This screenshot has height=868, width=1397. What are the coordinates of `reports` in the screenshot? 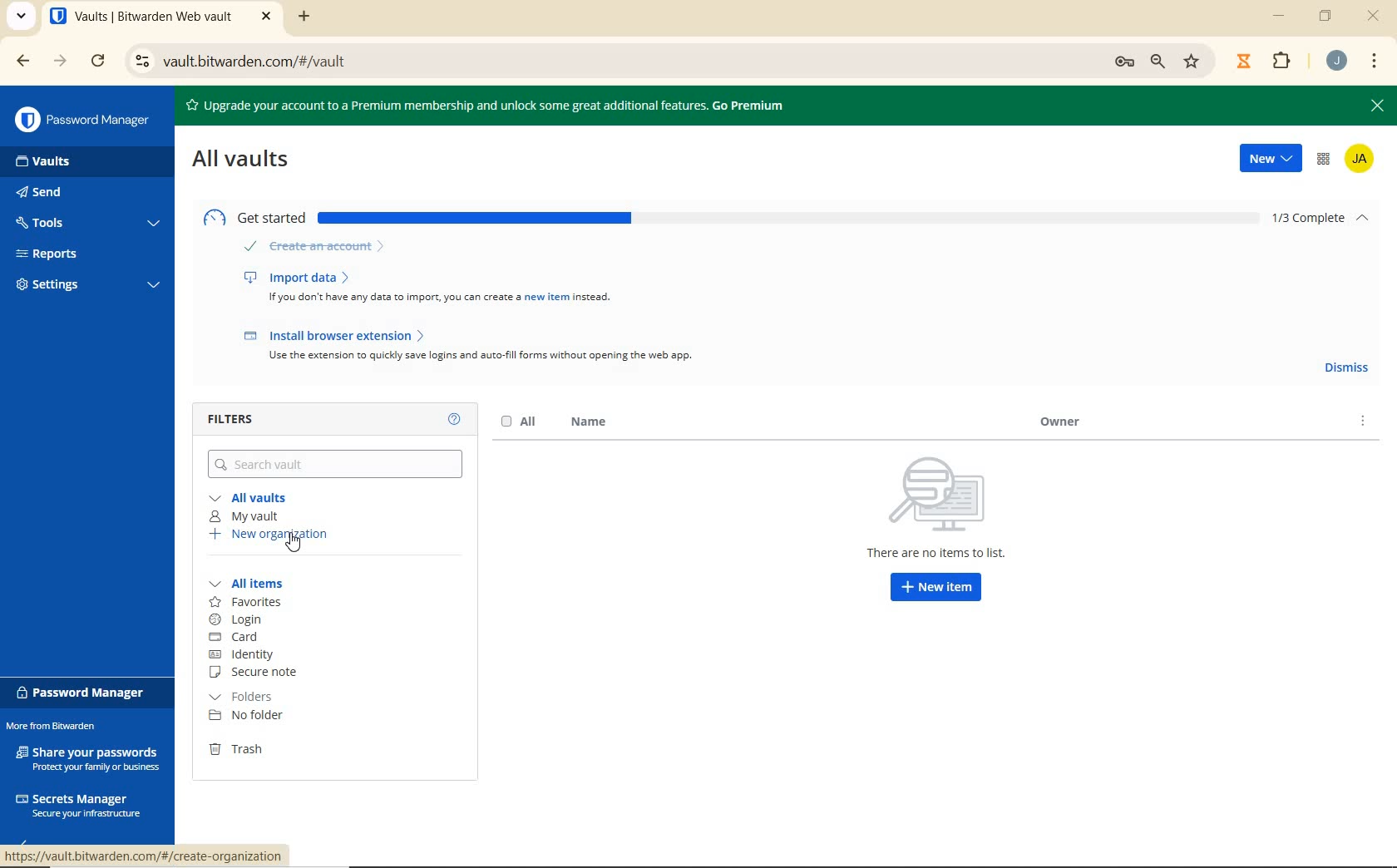 It's located at (88, 254).